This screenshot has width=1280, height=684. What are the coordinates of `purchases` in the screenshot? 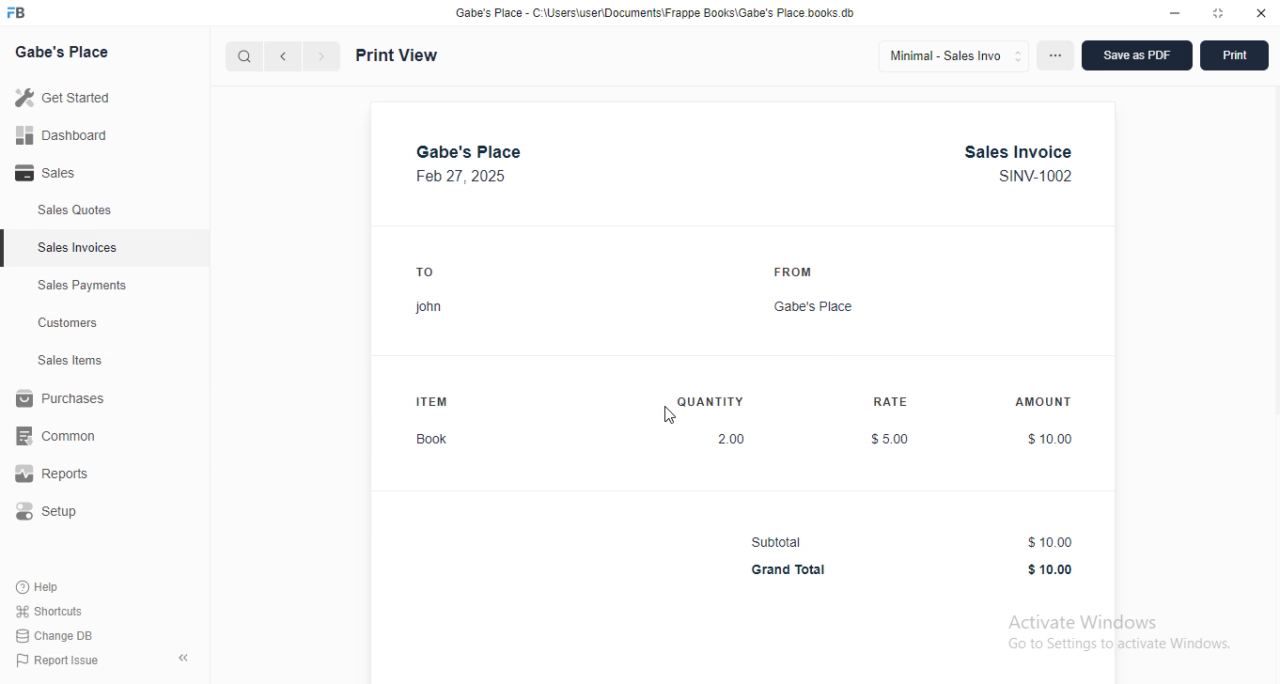 It's located at (62, 398).